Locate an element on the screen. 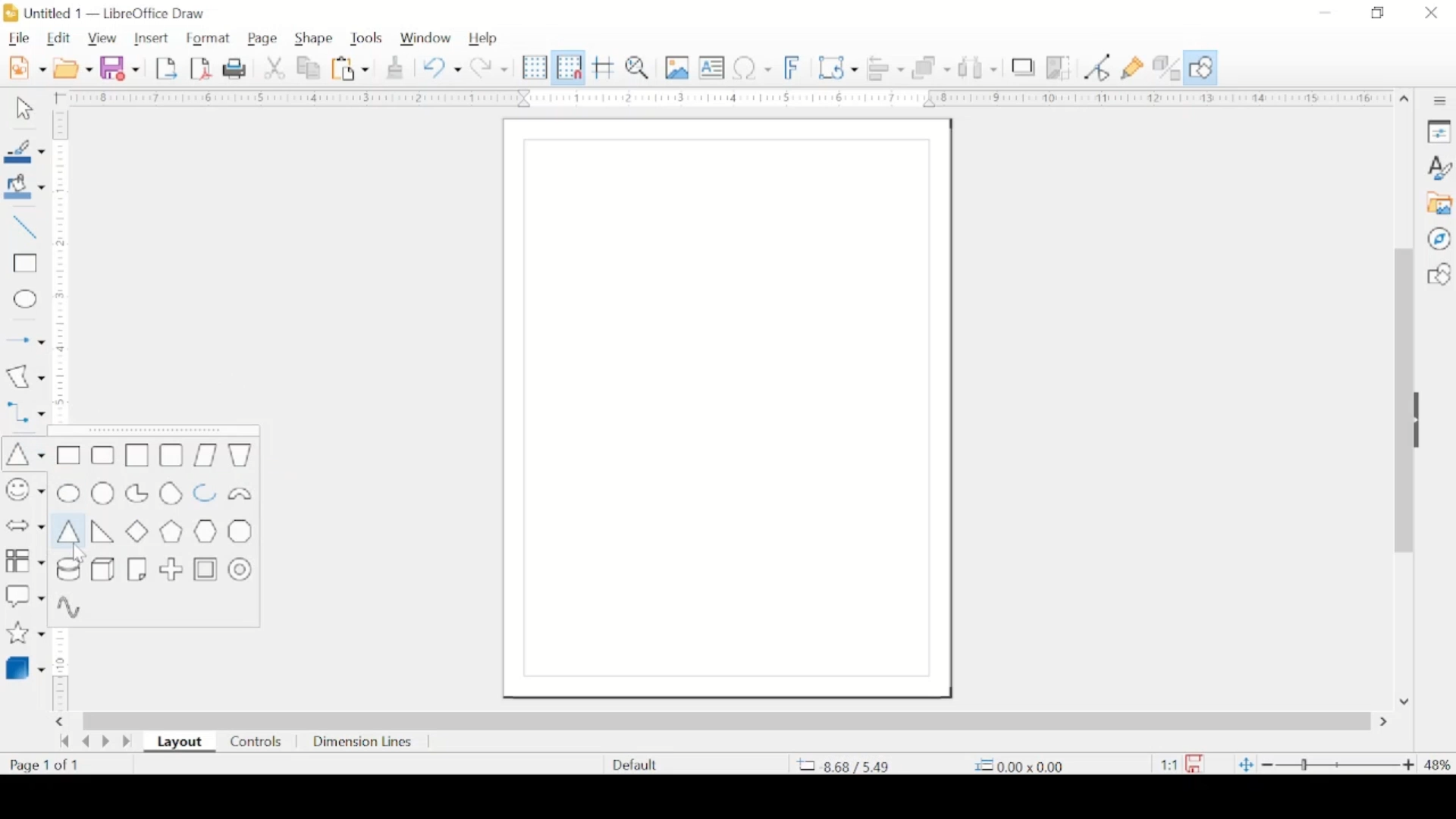 Image resolution: width=1456 pixels, height=819 pixels. insert rectangle is located at coordinates (24, 265).